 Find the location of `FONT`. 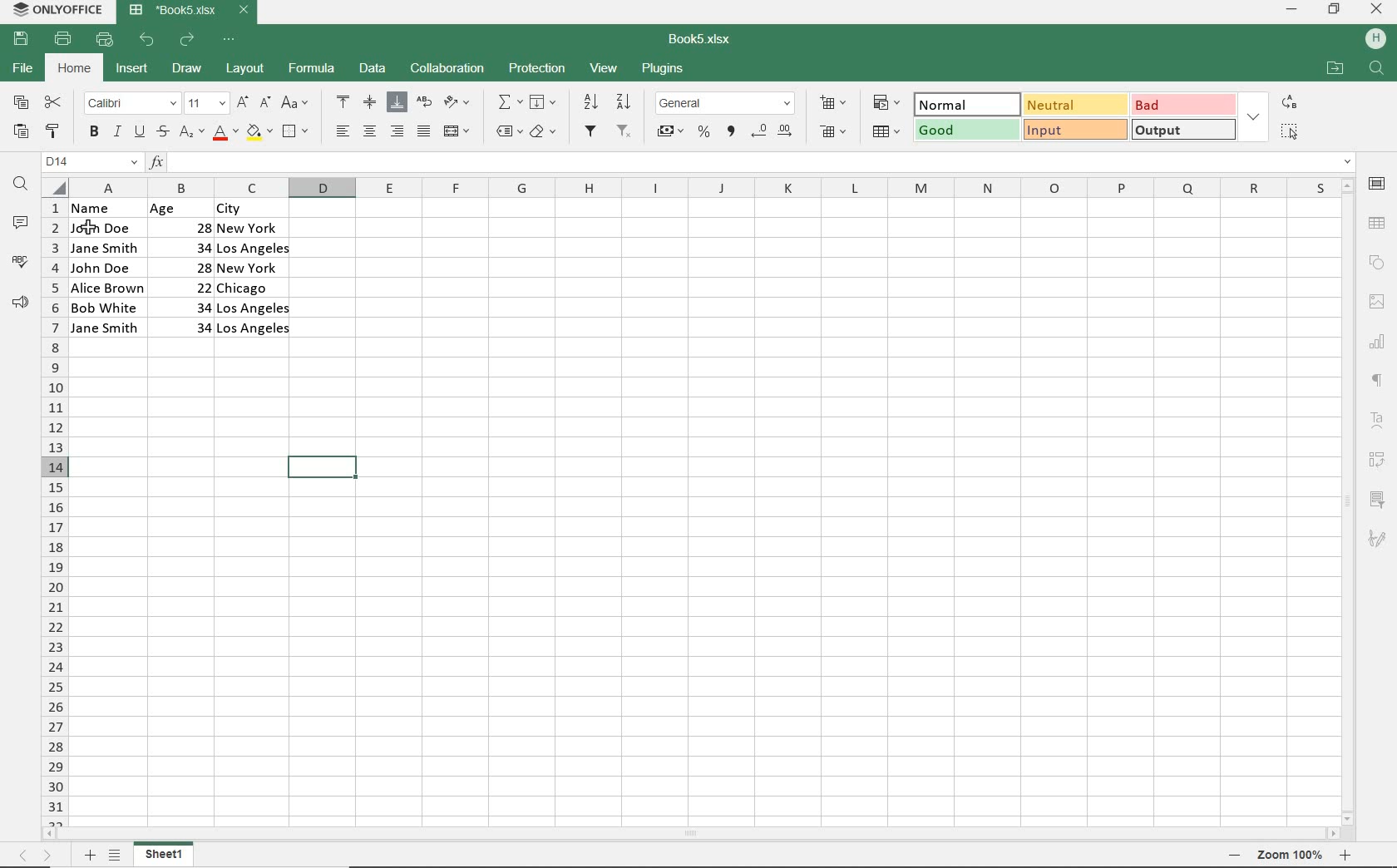

FONT is located at coordinates (130, 102).